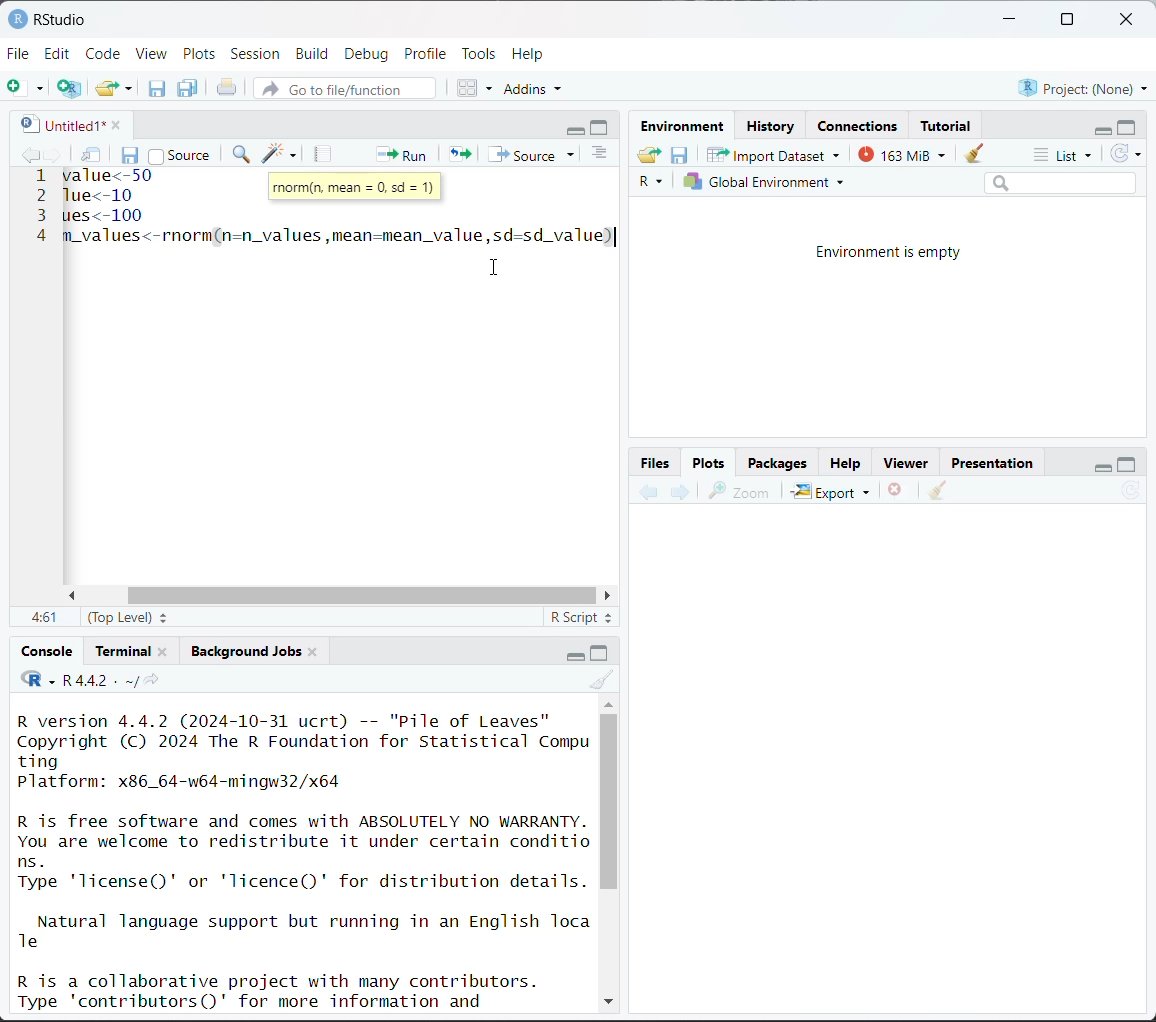  Describe the element at coordinates (602, 127) in the screenshot. I see `maximize` at that location.